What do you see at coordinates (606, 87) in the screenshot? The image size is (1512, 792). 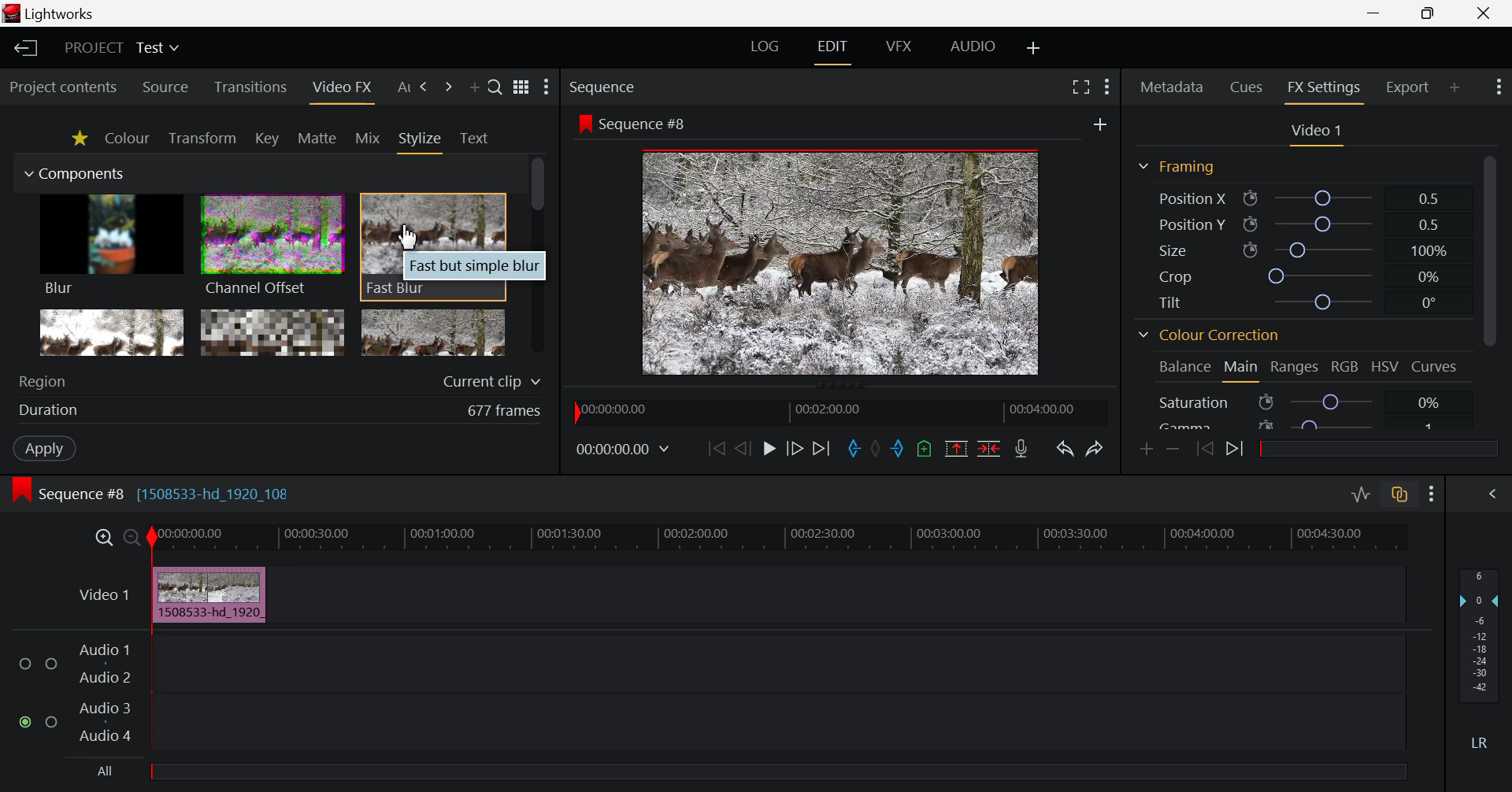 I see `Sequence ` at bounding box center [606, 87].